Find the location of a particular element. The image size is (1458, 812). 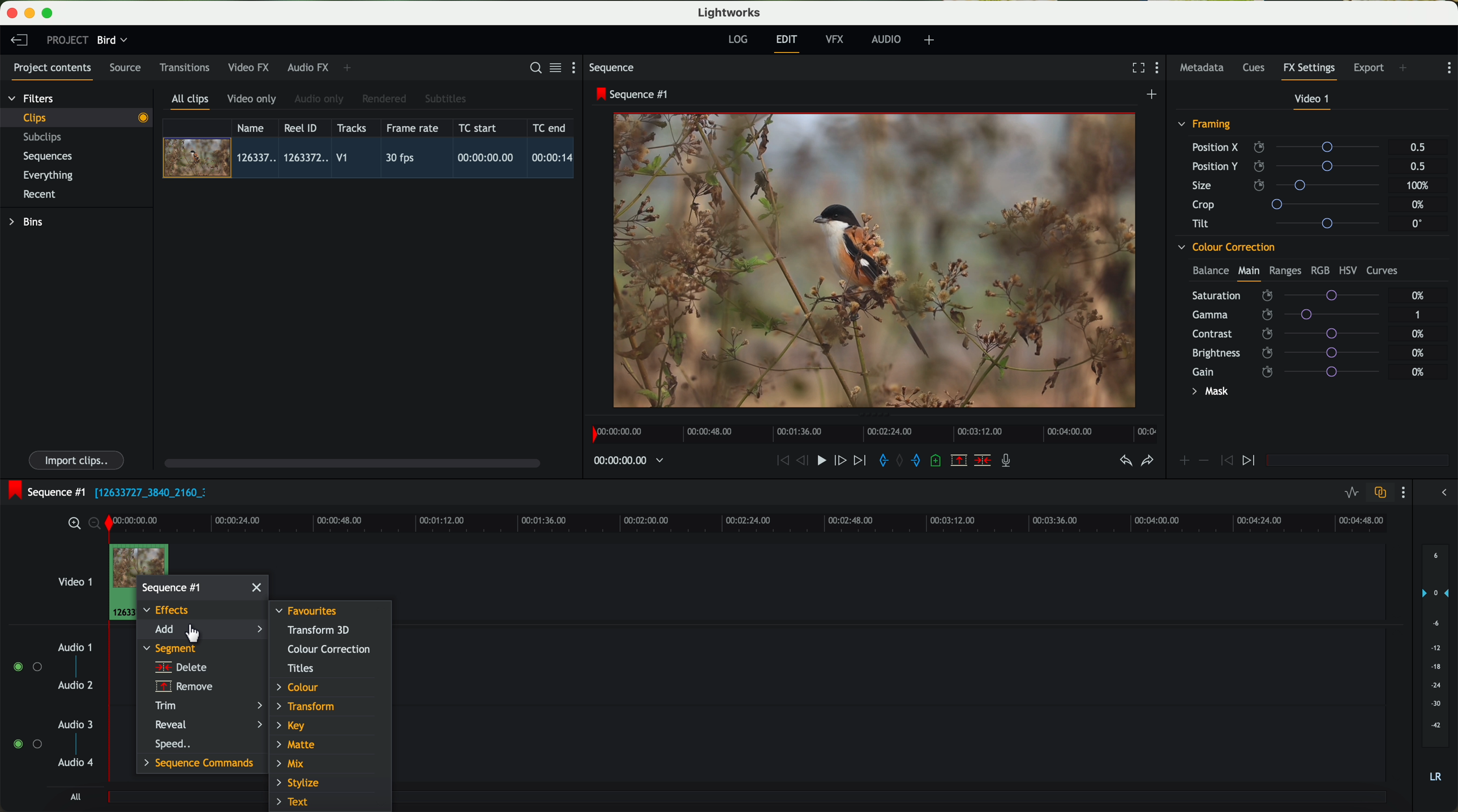

tracks is located at coordinates (350, 128).